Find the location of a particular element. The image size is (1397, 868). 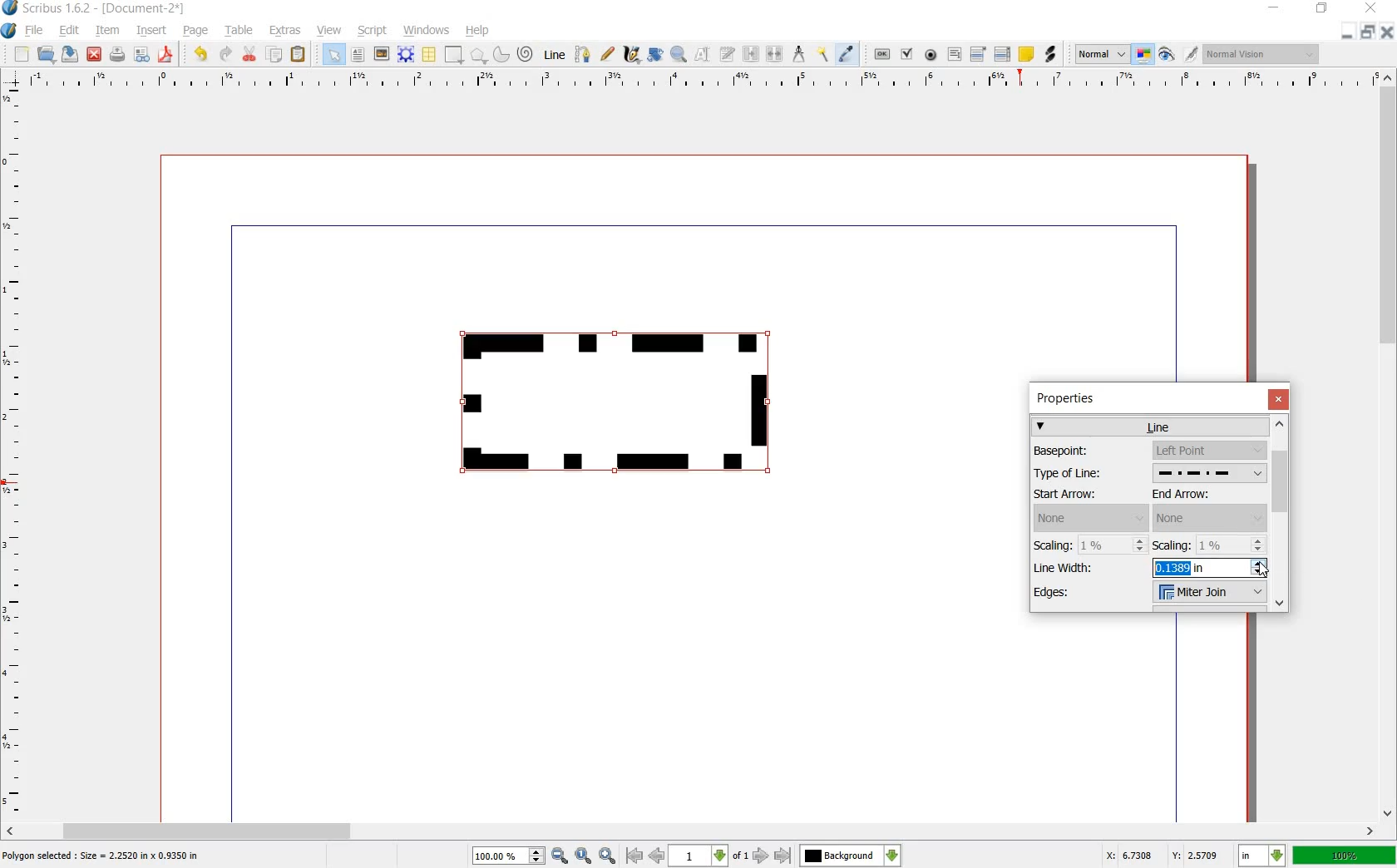

Basepoint: is located at coordinates (1084, 451).